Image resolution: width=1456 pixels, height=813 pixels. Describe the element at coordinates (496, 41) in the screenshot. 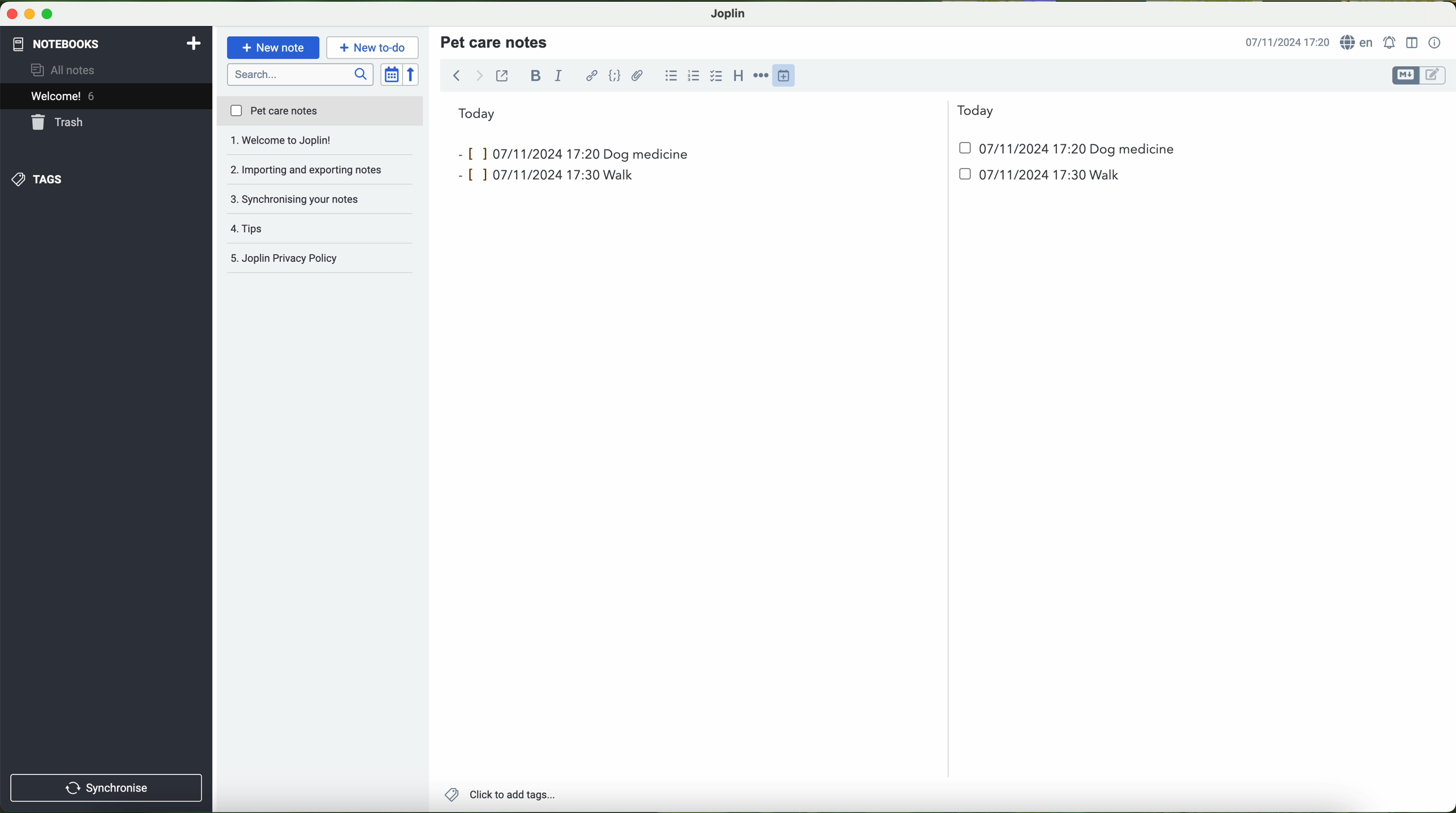

I see `title pet care notes` at that location.